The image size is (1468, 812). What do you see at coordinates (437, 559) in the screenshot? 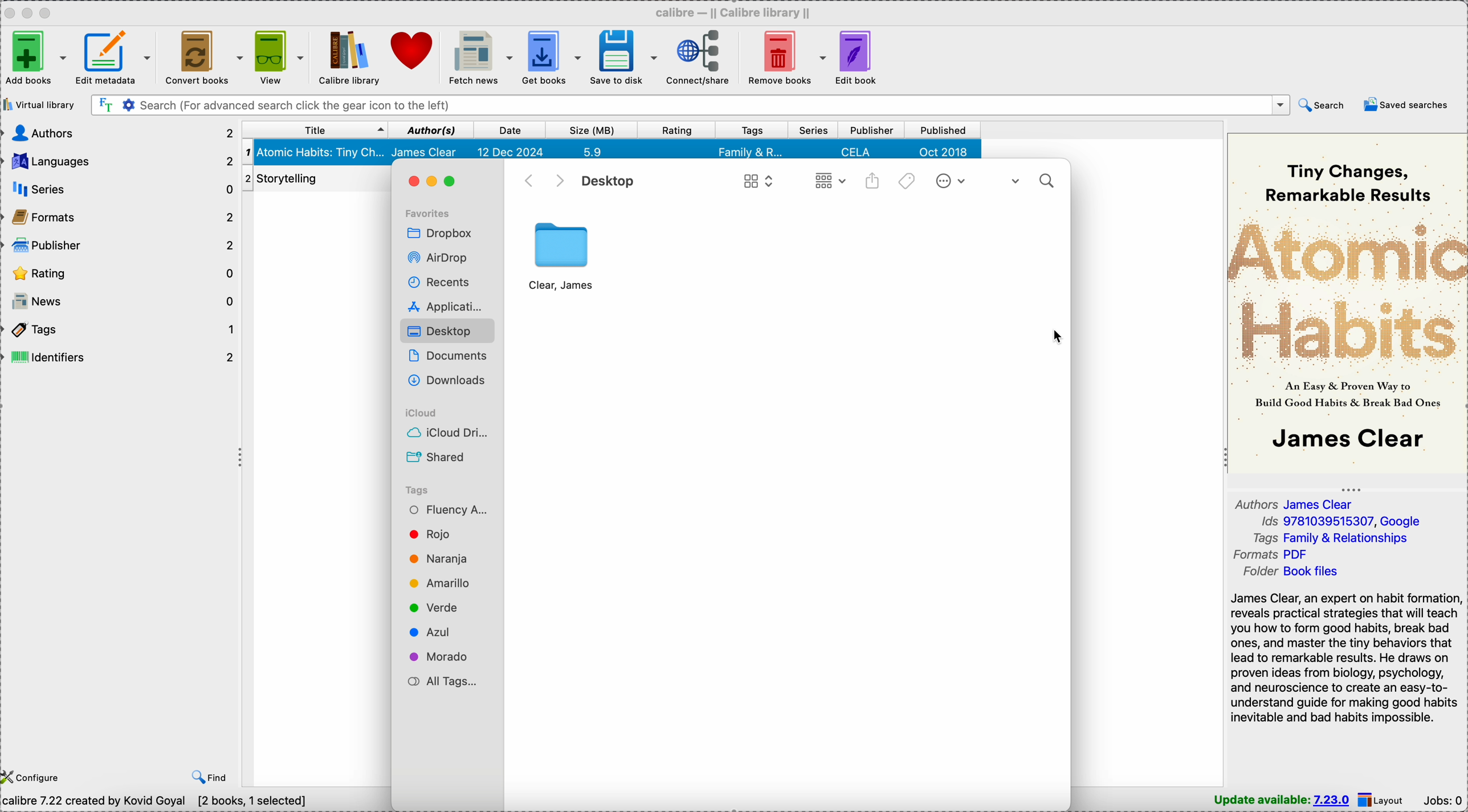
I see `Orange tag` at bounding box center [437, 559].